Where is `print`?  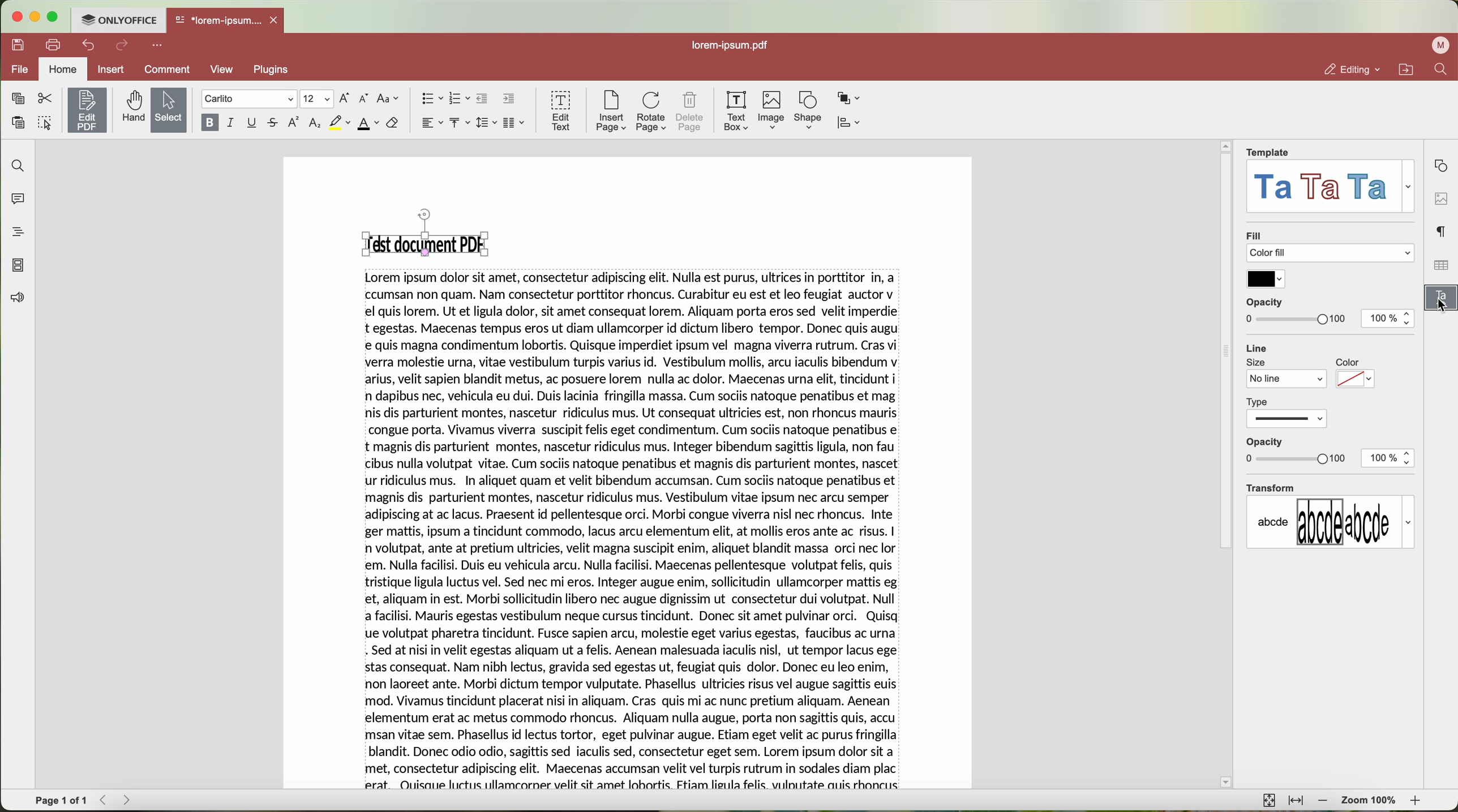 print is located at coordinates (53, 44).